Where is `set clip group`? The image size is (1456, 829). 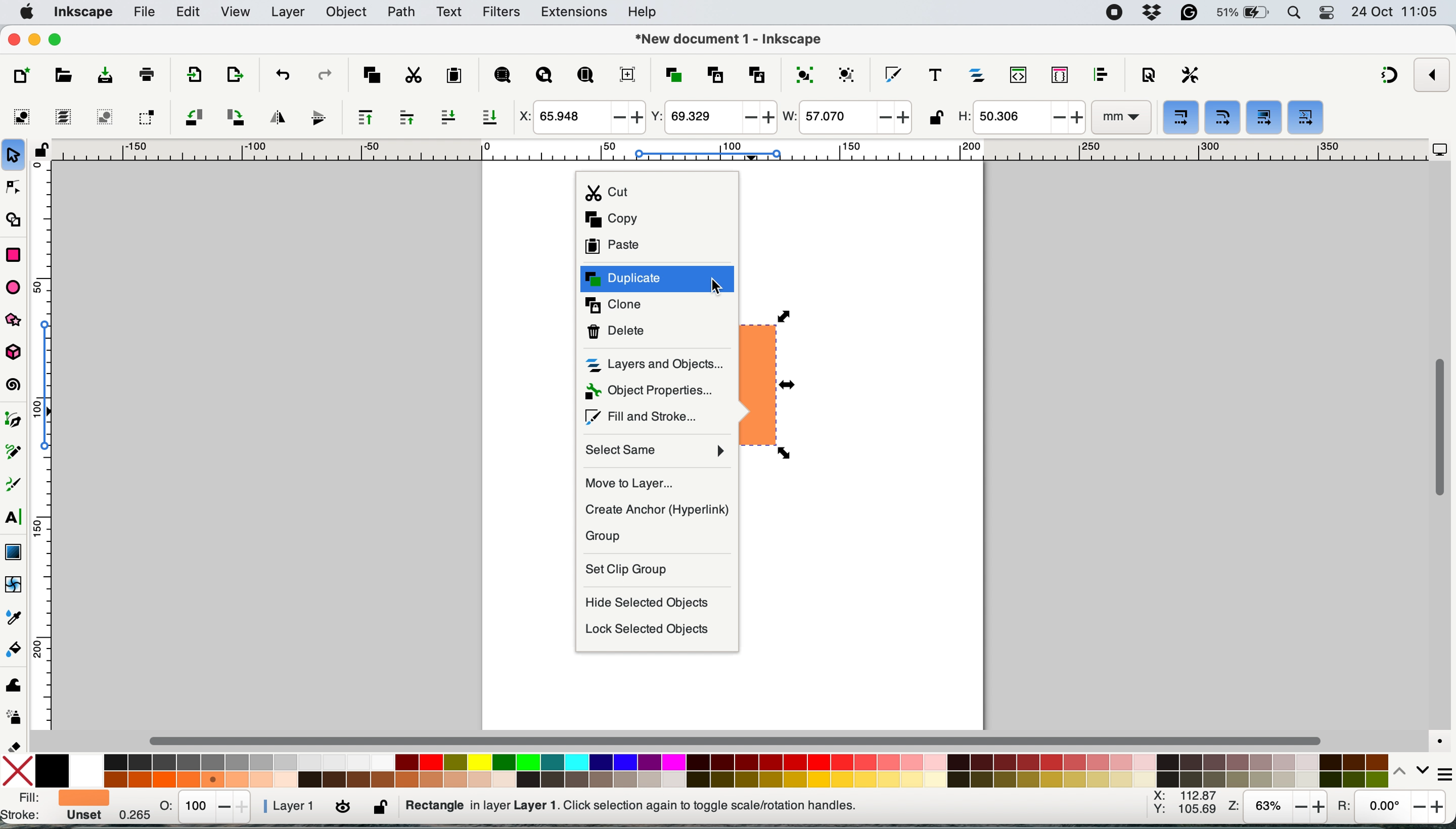
set clip group is located at coordinates (655, 569).